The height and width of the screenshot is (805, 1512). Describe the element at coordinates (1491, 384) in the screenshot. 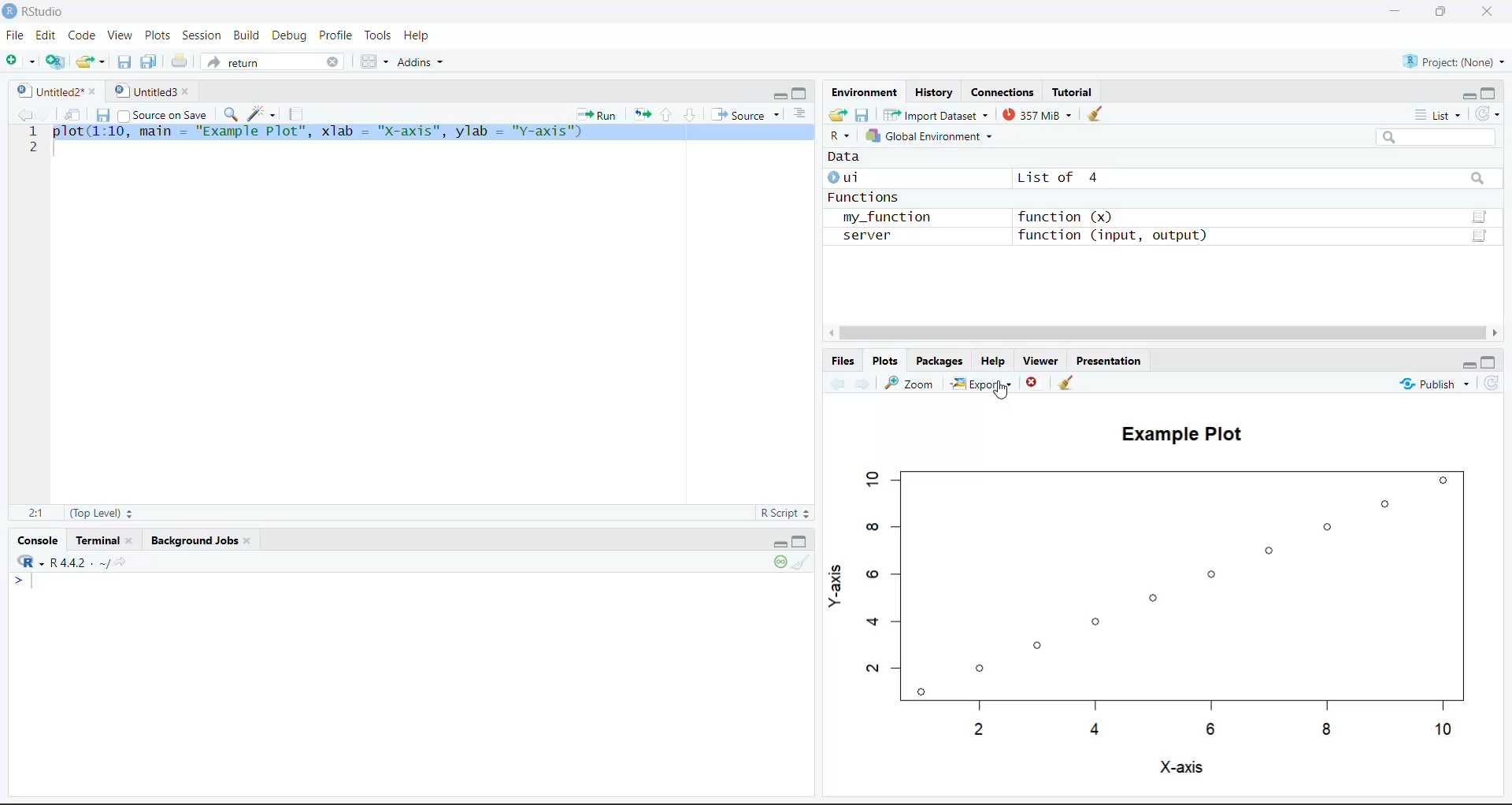

I see `Refresh file listing` at that location.